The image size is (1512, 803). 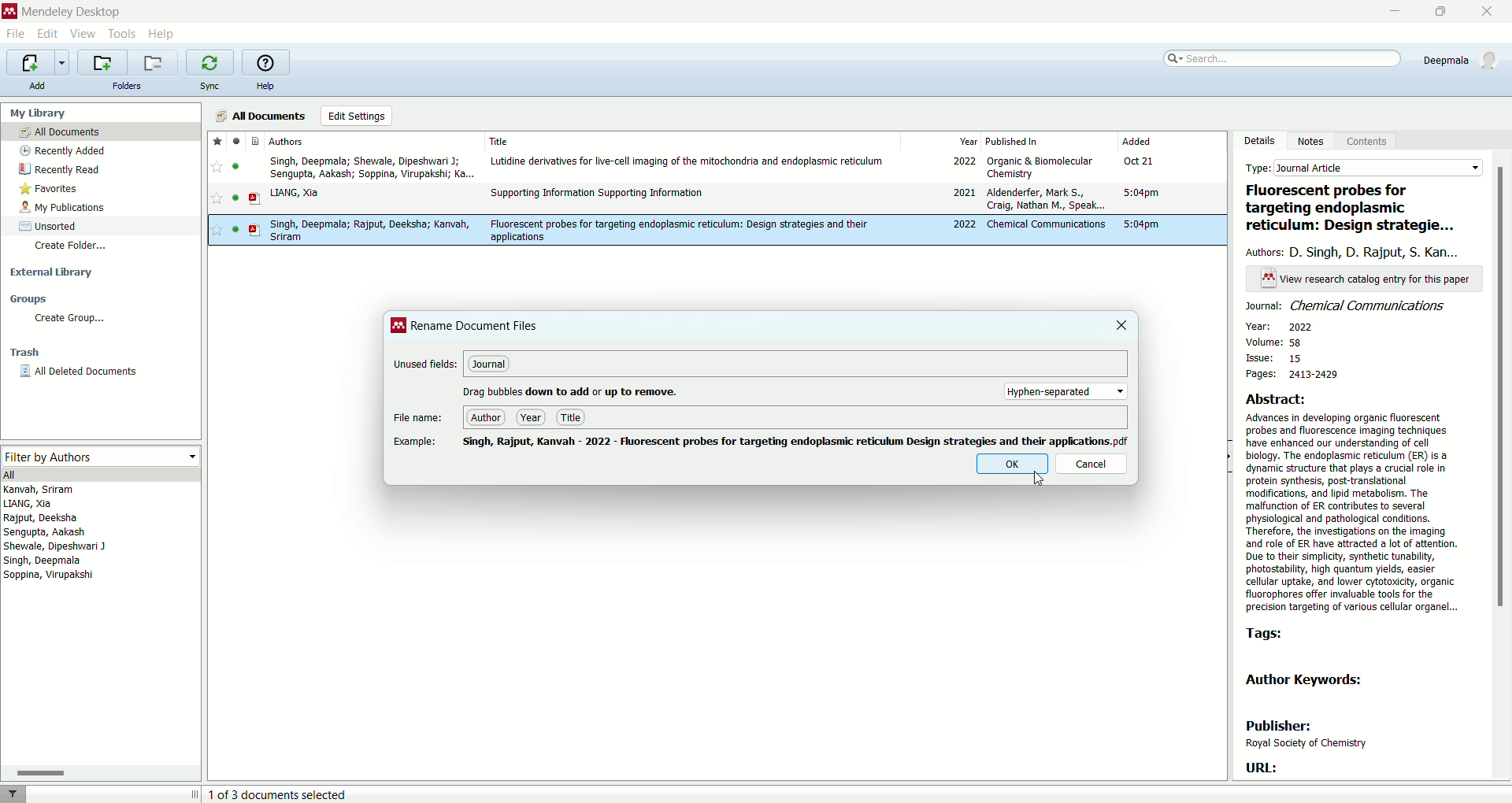 What do you see at coordinates (1306, 735) in the screenshot?
I see `publisher` at bounding box center [1306, 735].